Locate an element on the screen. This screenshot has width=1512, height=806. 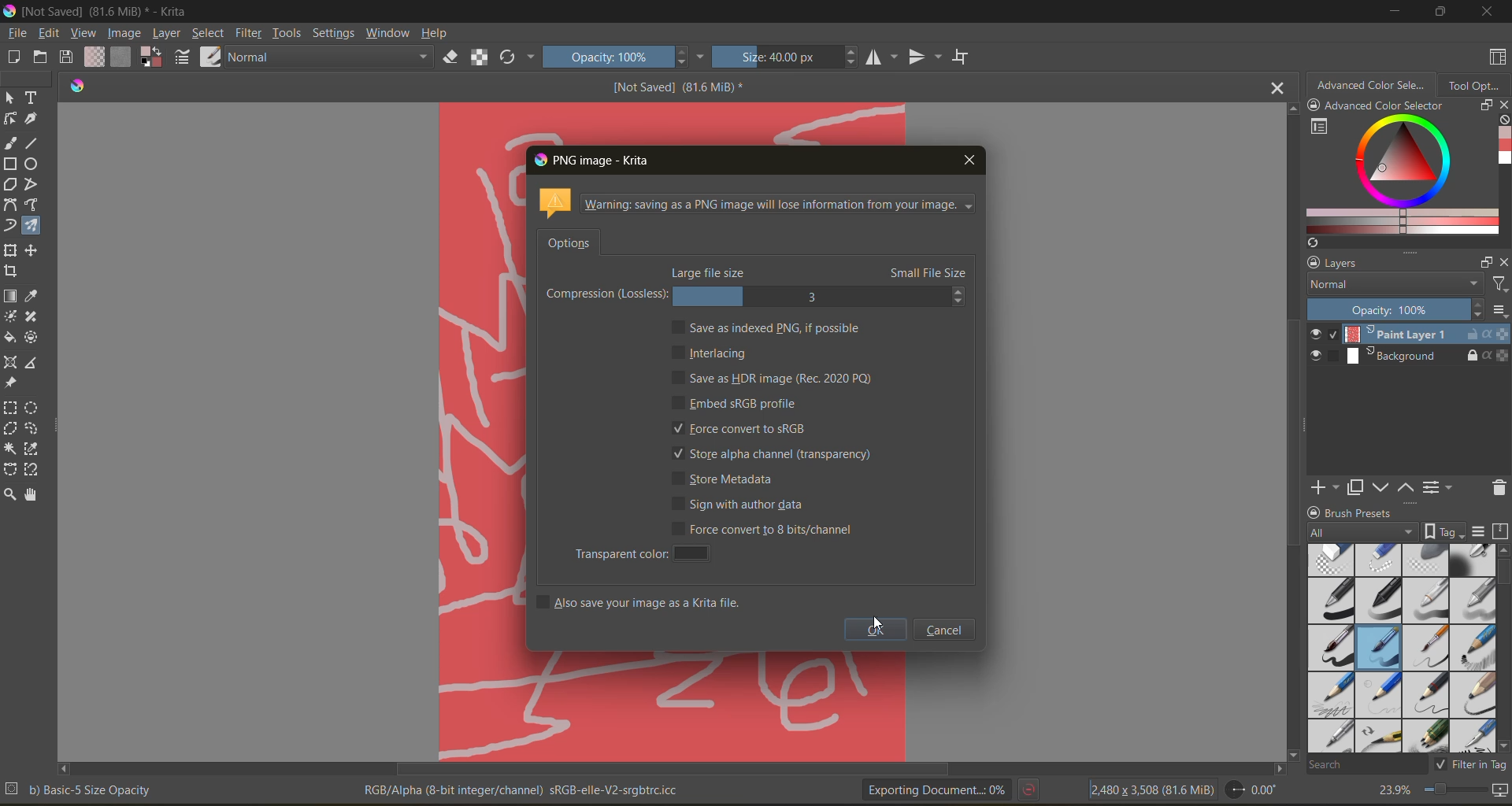
tool is located at coordinates (36, 142).